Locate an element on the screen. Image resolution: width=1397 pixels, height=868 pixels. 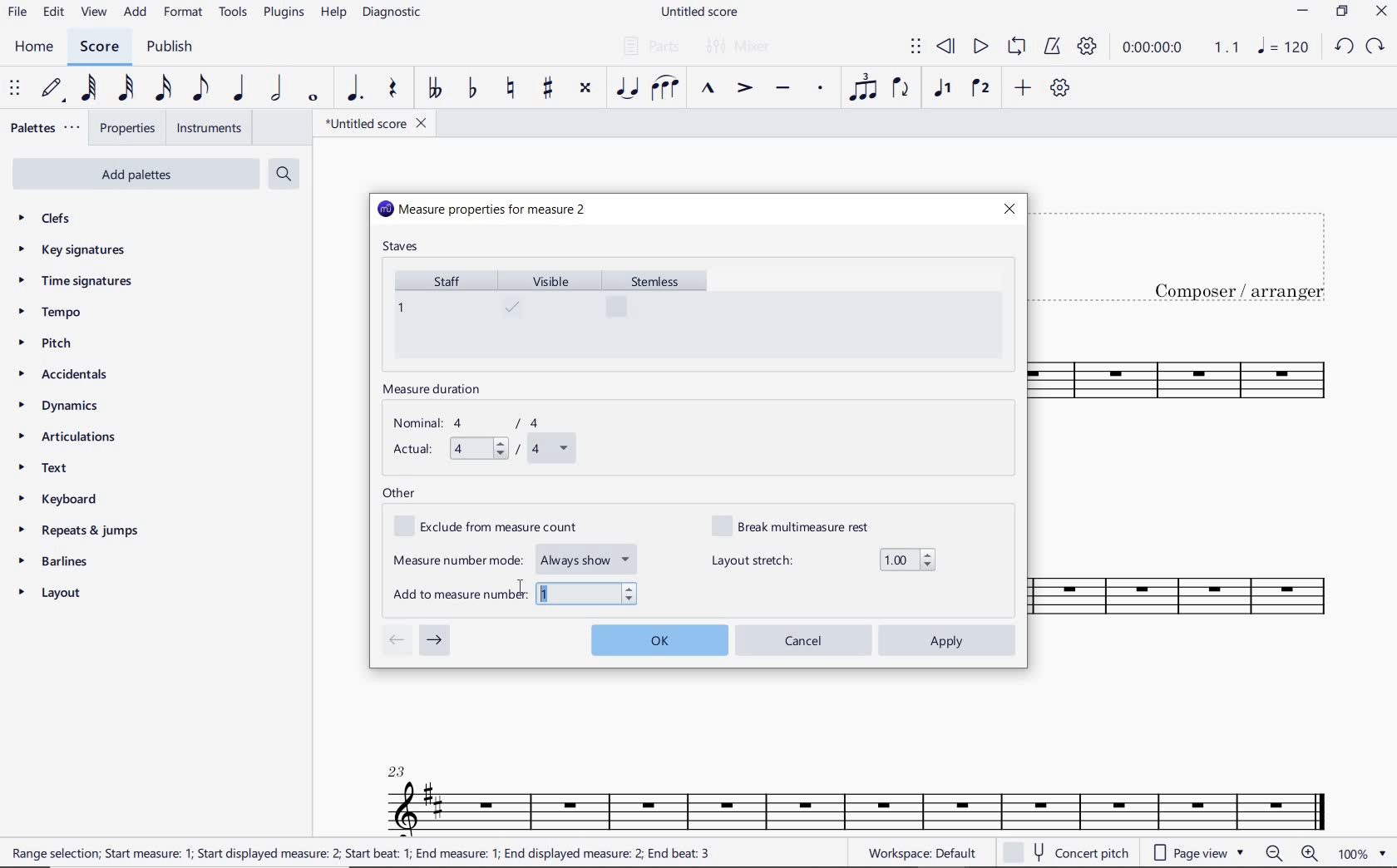
DYNAMICS is located at coordinates (67, 407).